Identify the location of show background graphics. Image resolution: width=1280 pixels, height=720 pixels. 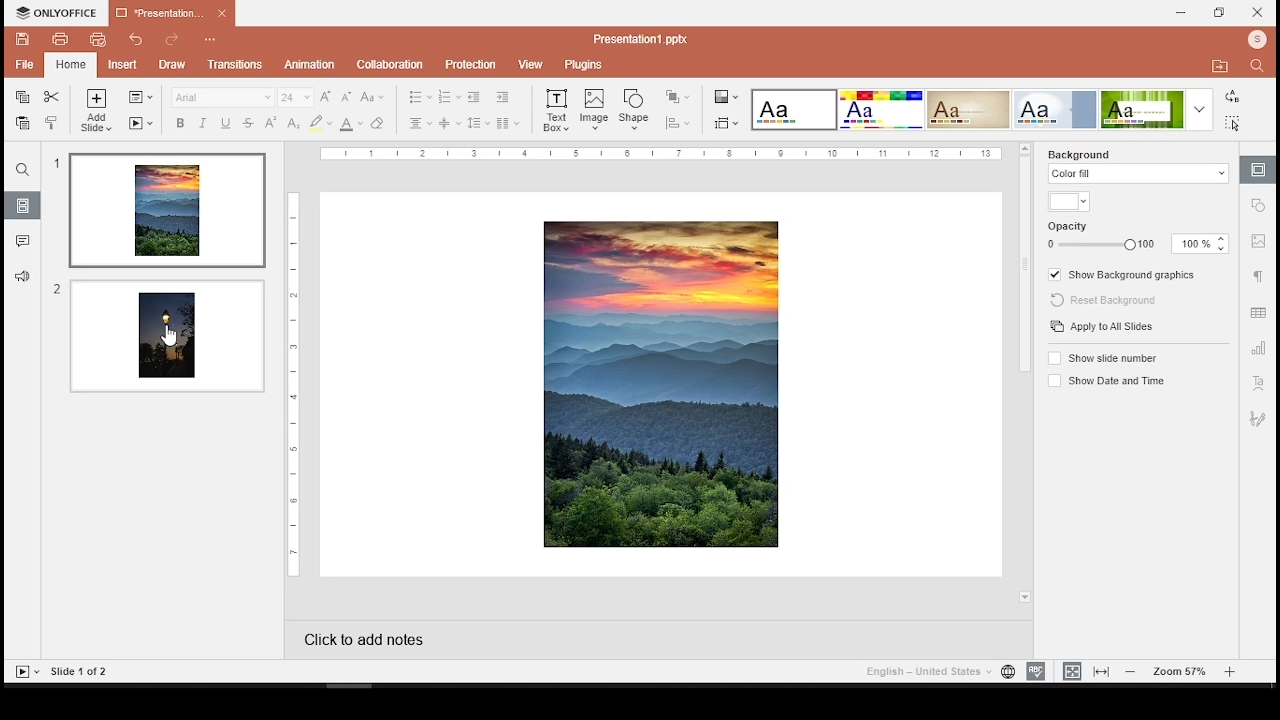
(1125, 274).